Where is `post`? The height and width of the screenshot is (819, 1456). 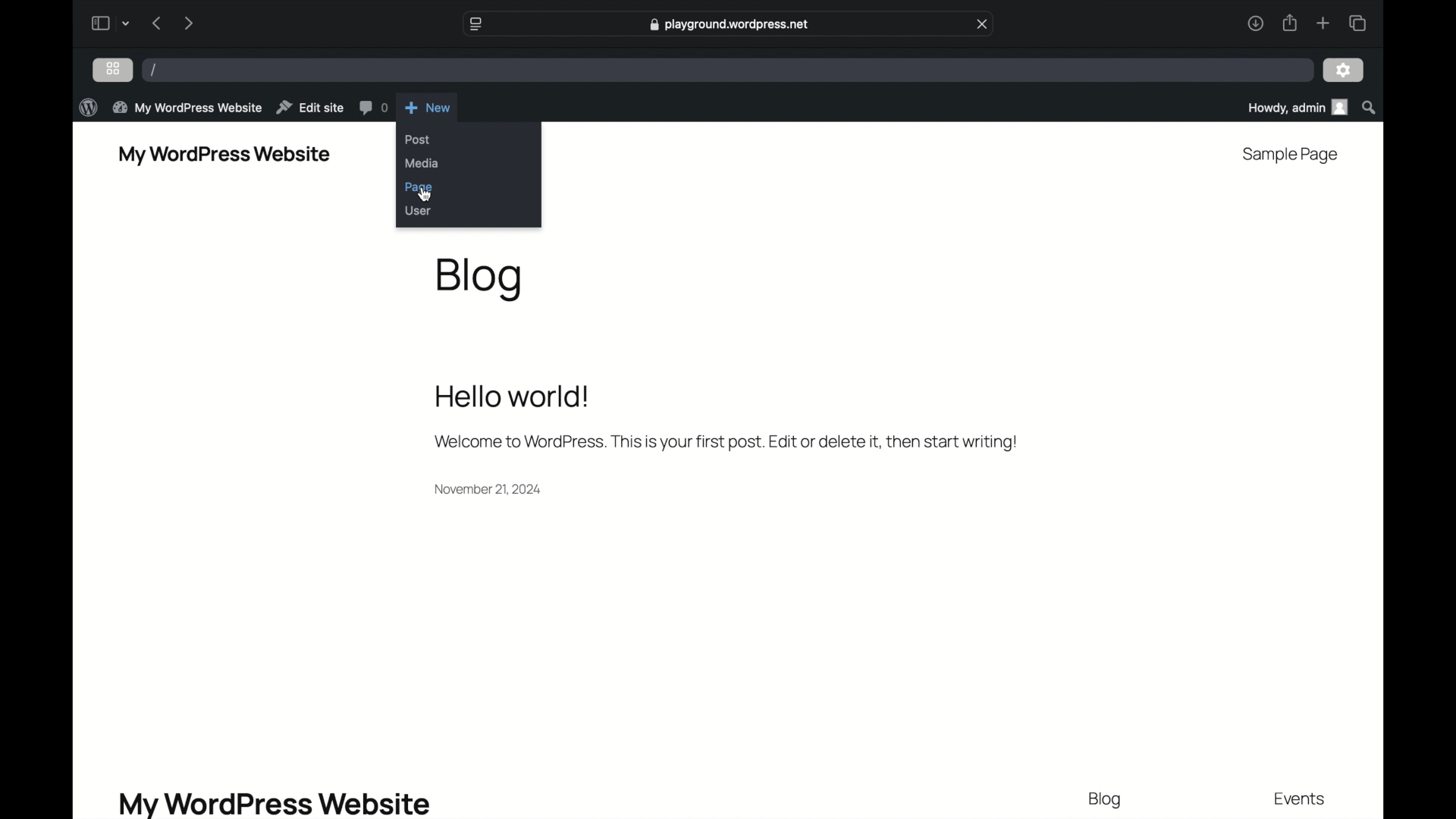 post is located at coordinates (417, 140).